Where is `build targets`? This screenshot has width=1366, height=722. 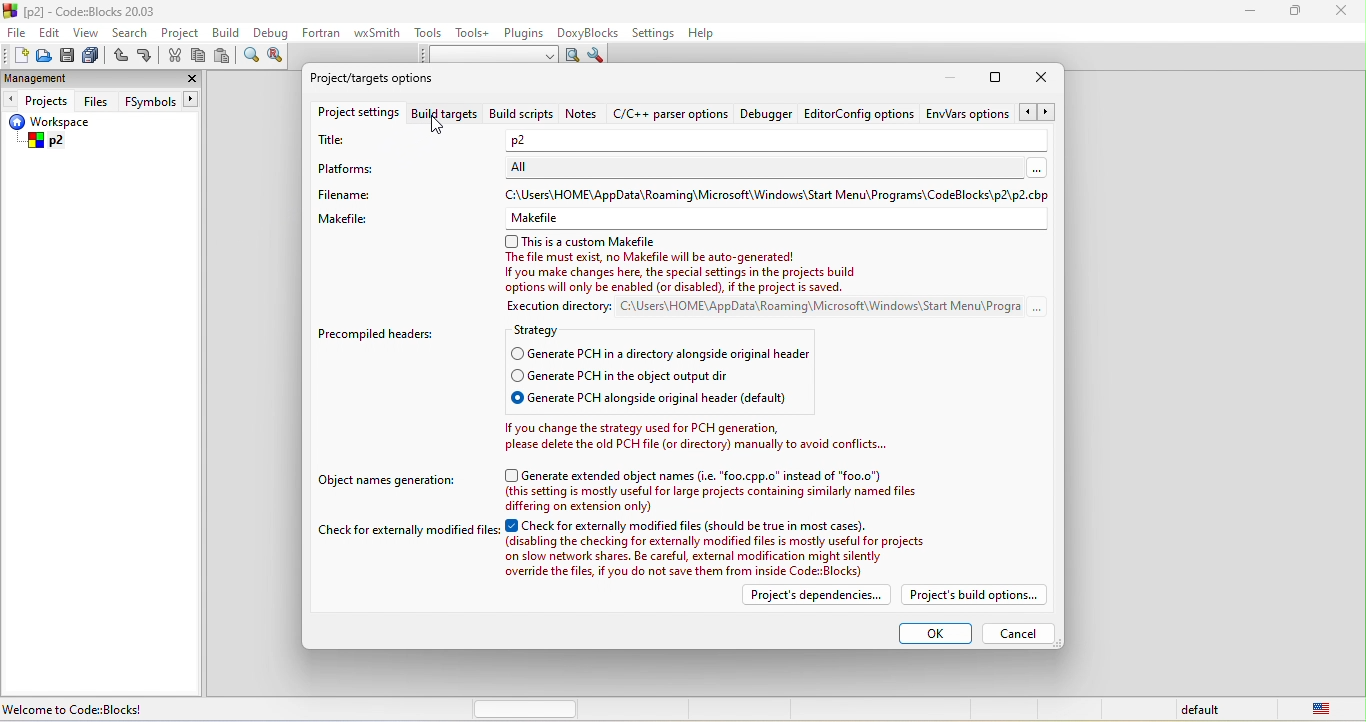 build targets is located at coordinates (444, 116).